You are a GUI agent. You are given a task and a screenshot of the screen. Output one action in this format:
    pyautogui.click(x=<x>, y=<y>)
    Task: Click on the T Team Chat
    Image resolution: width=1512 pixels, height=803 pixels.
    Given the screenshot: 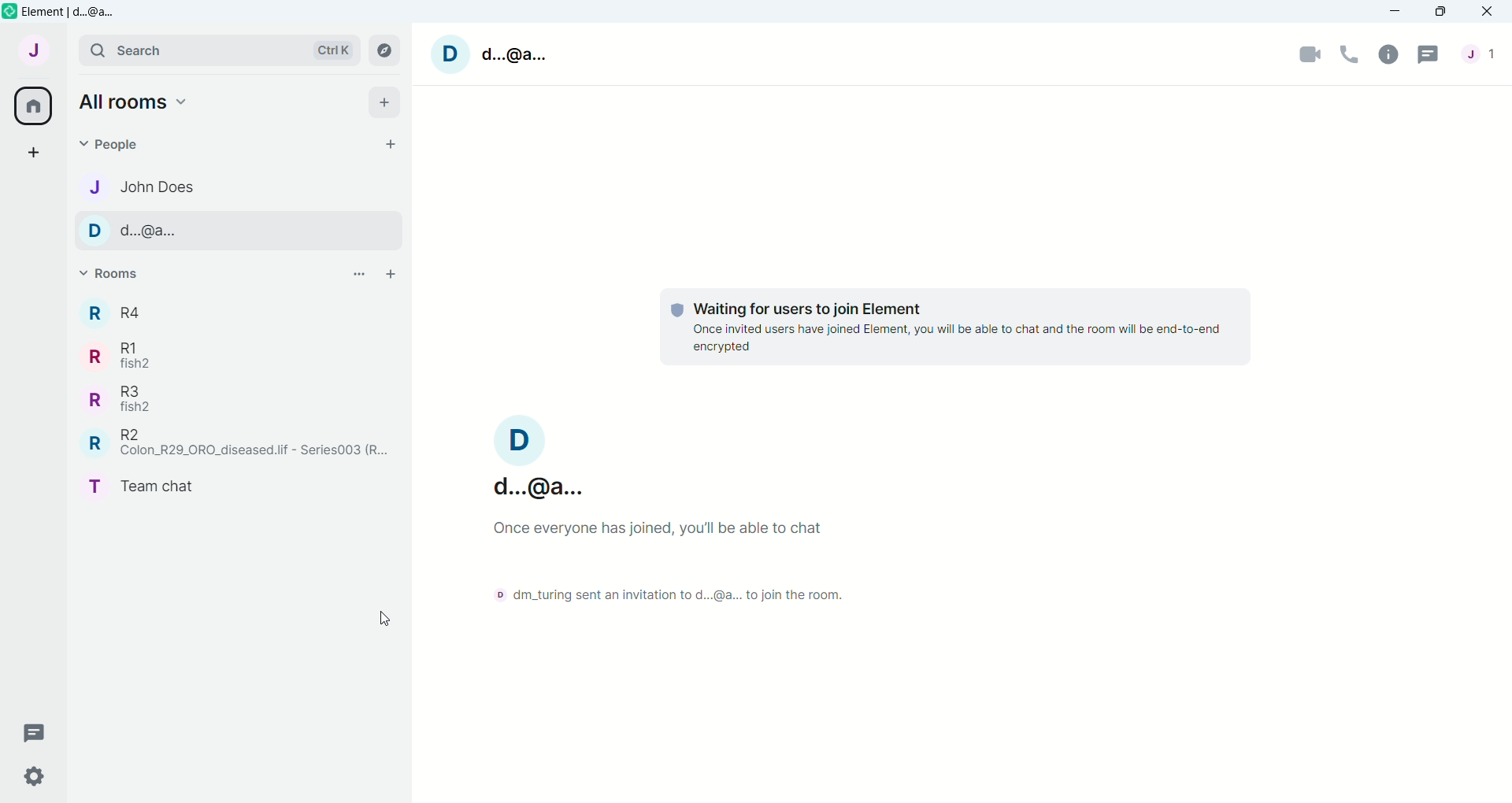 What is the action you would take?
    pyautogui.click(x=146, y=483)
    